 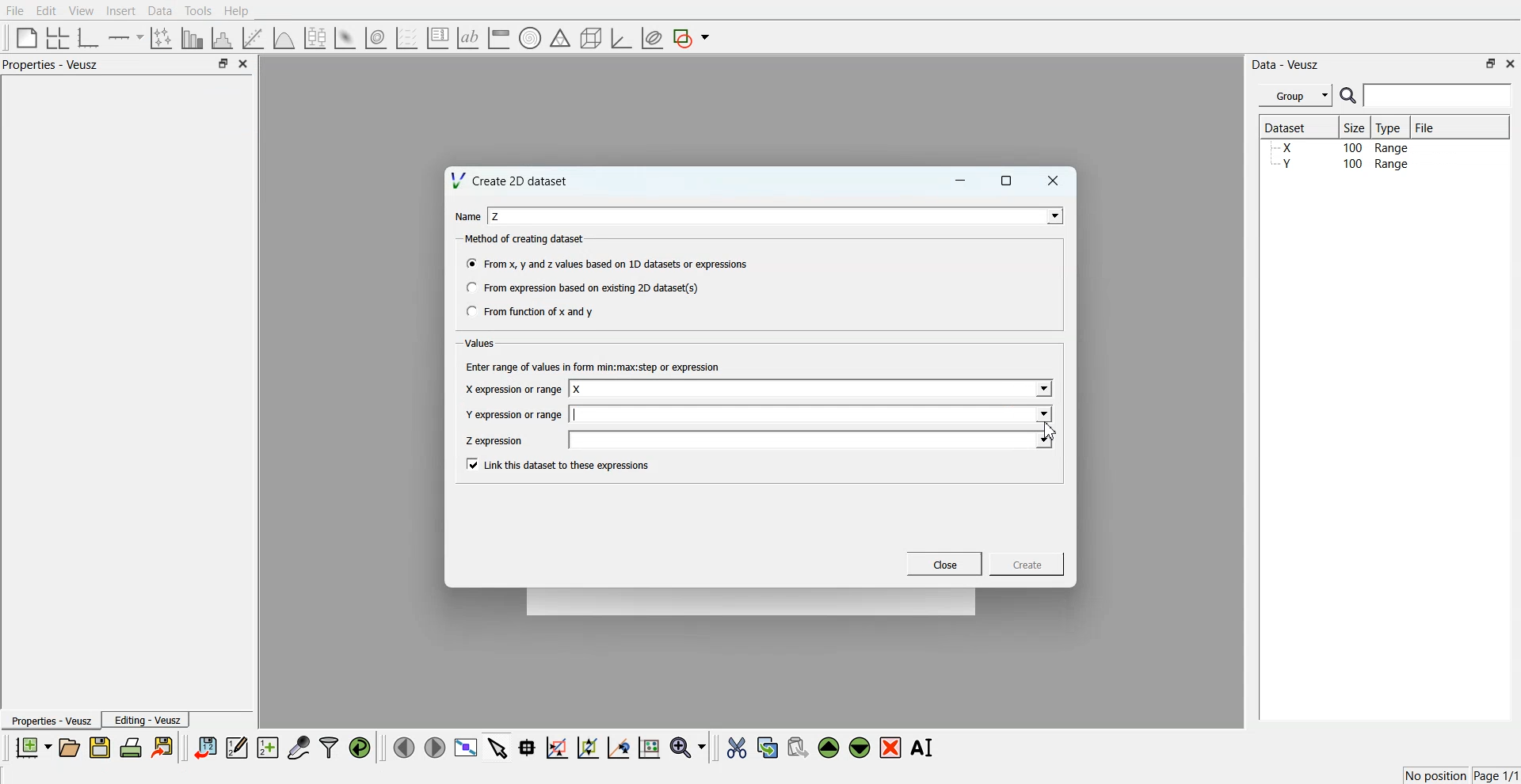 I want to click on Read data points from graph, so click(x=528, y=747).